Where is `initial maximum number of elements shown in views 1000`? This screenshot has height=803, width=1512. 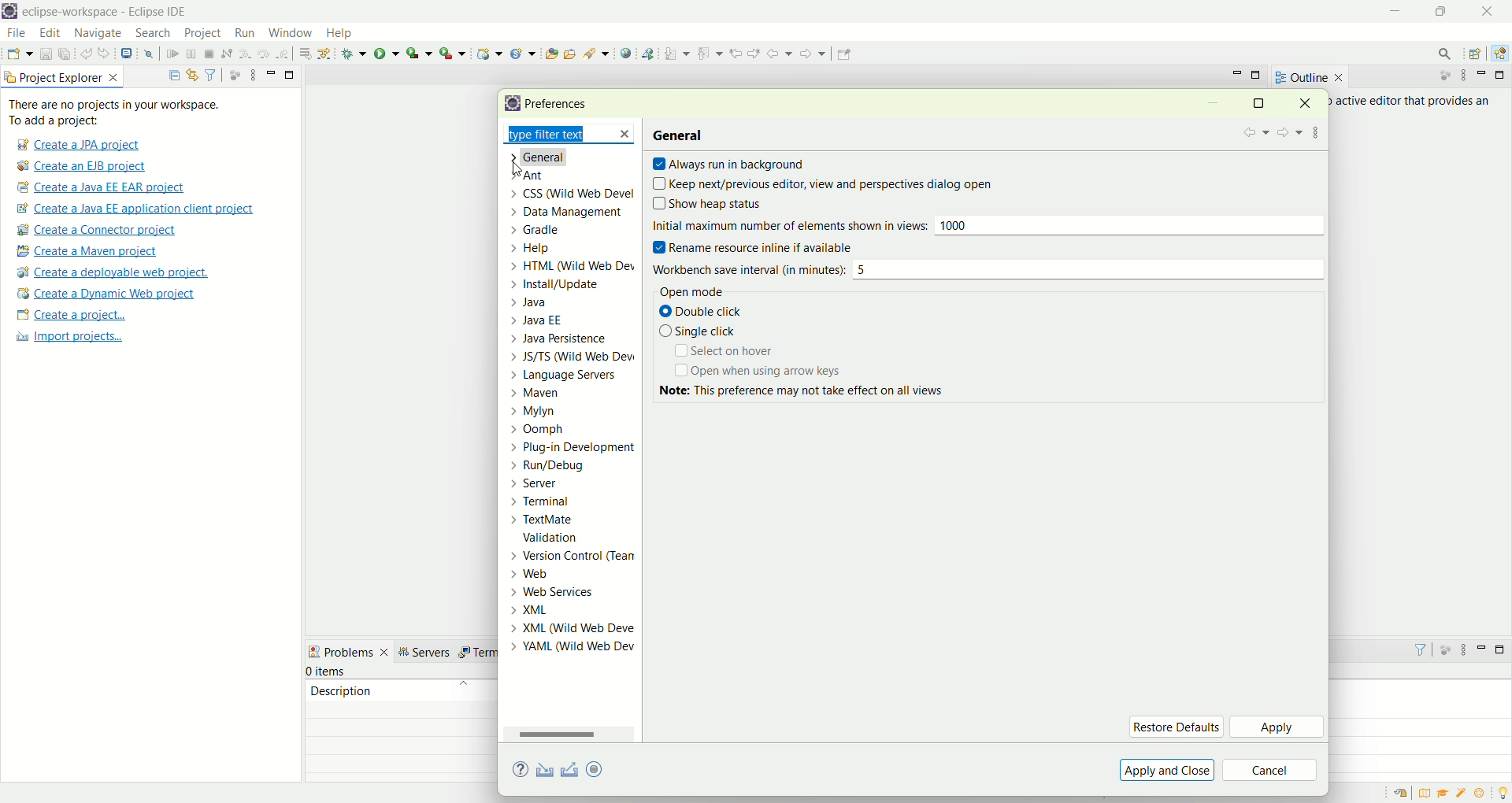
initial maximum number of elements shown in views 1000 is located at coordinates (986, 228).